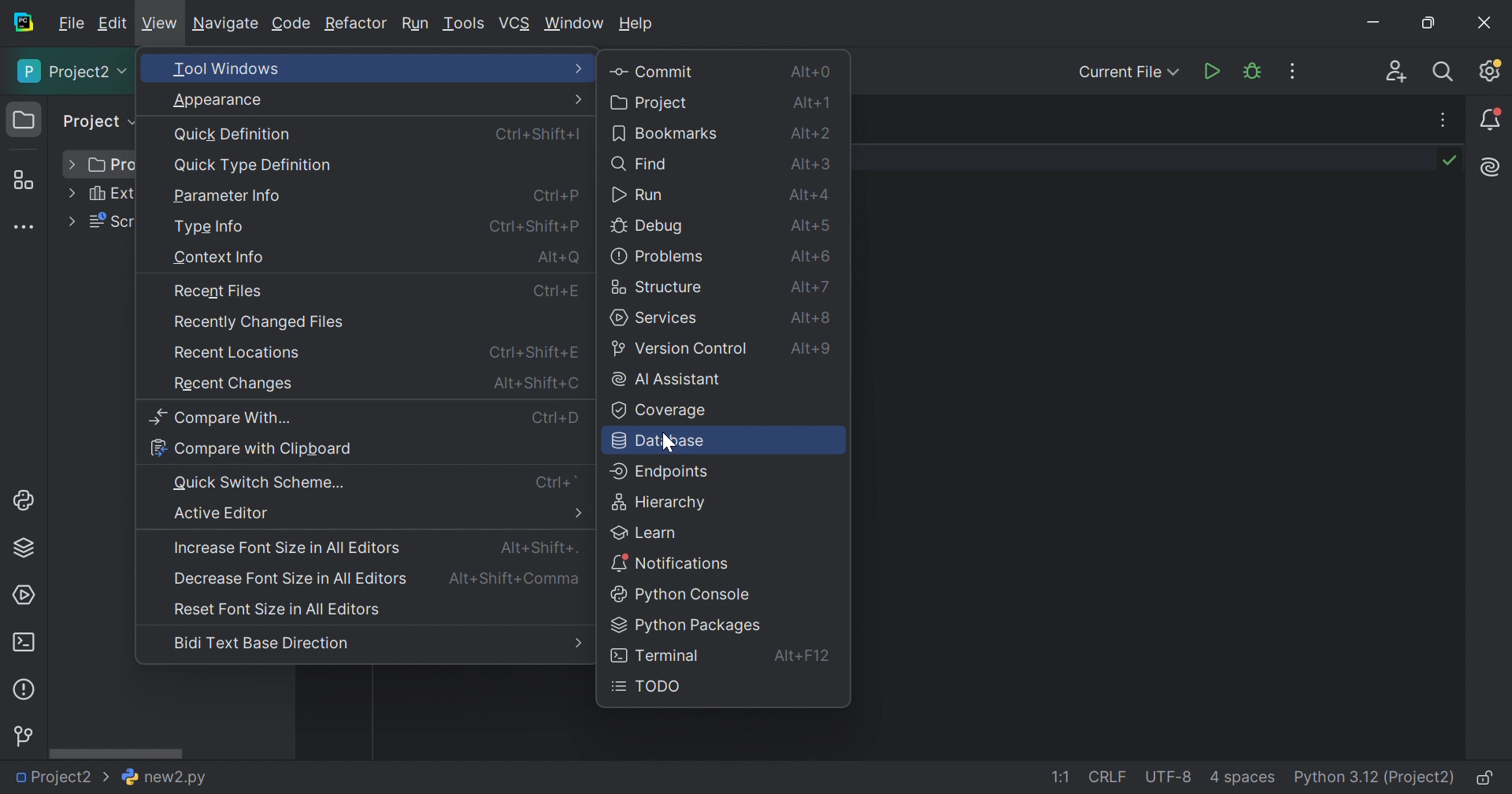  What do you see at coordinates (1492, 167) in the screenshot?
I see `AI Assistant` at bounding box center [1492, 167].